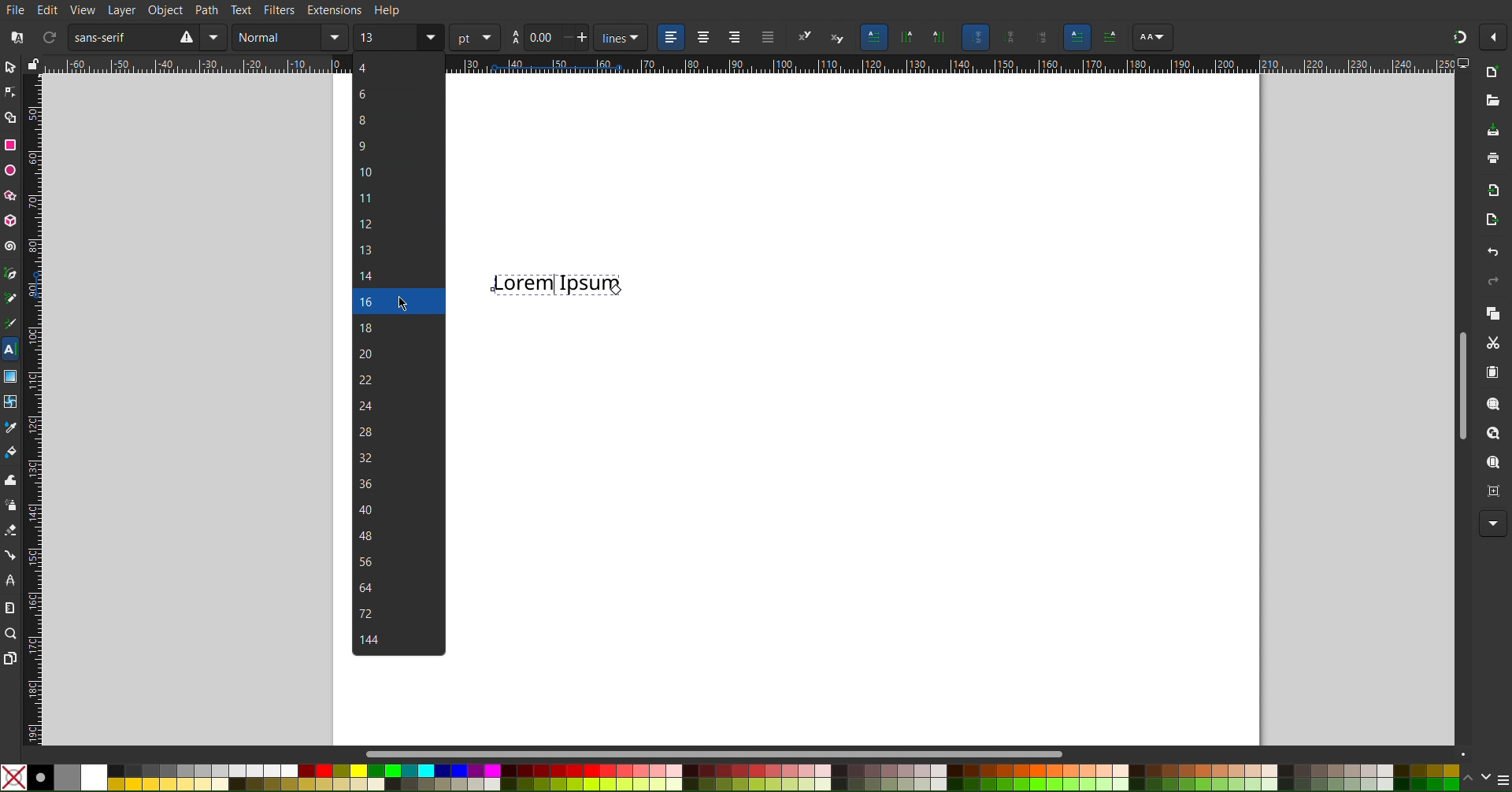 The height and width of the screenshot is (792, 1512). Describe the element at coordinates (575, 38) in the screenshot. I see `increase/decrease` at that location.